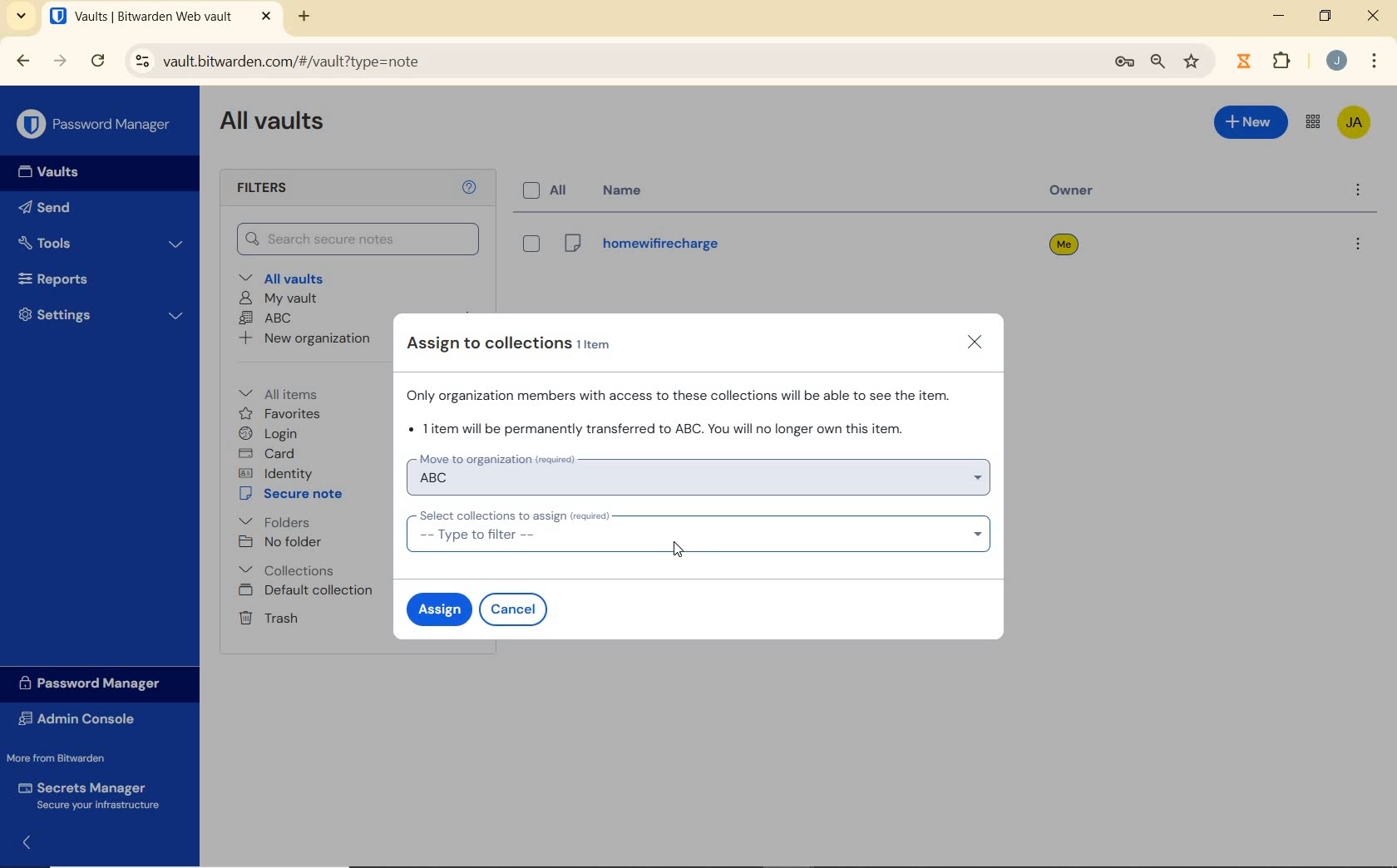 Image resolution: width=1397 pixels, height=868 pixels. Describe the element at coordinates (60, 61) in the screenshot. I see `forward` at that location.